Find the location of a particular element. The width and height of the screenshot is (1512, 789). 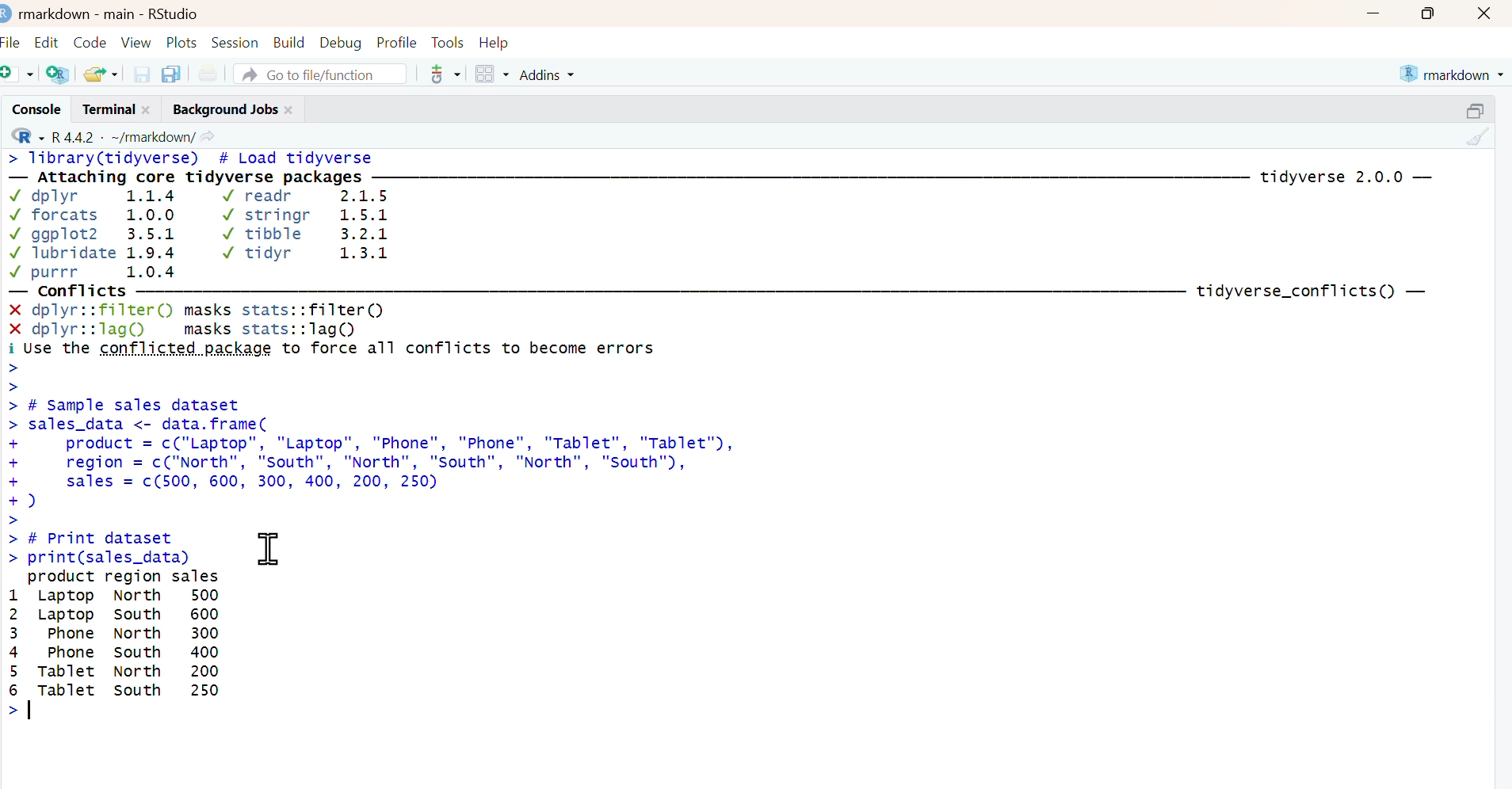

Console is located at coordinates (33, 109).